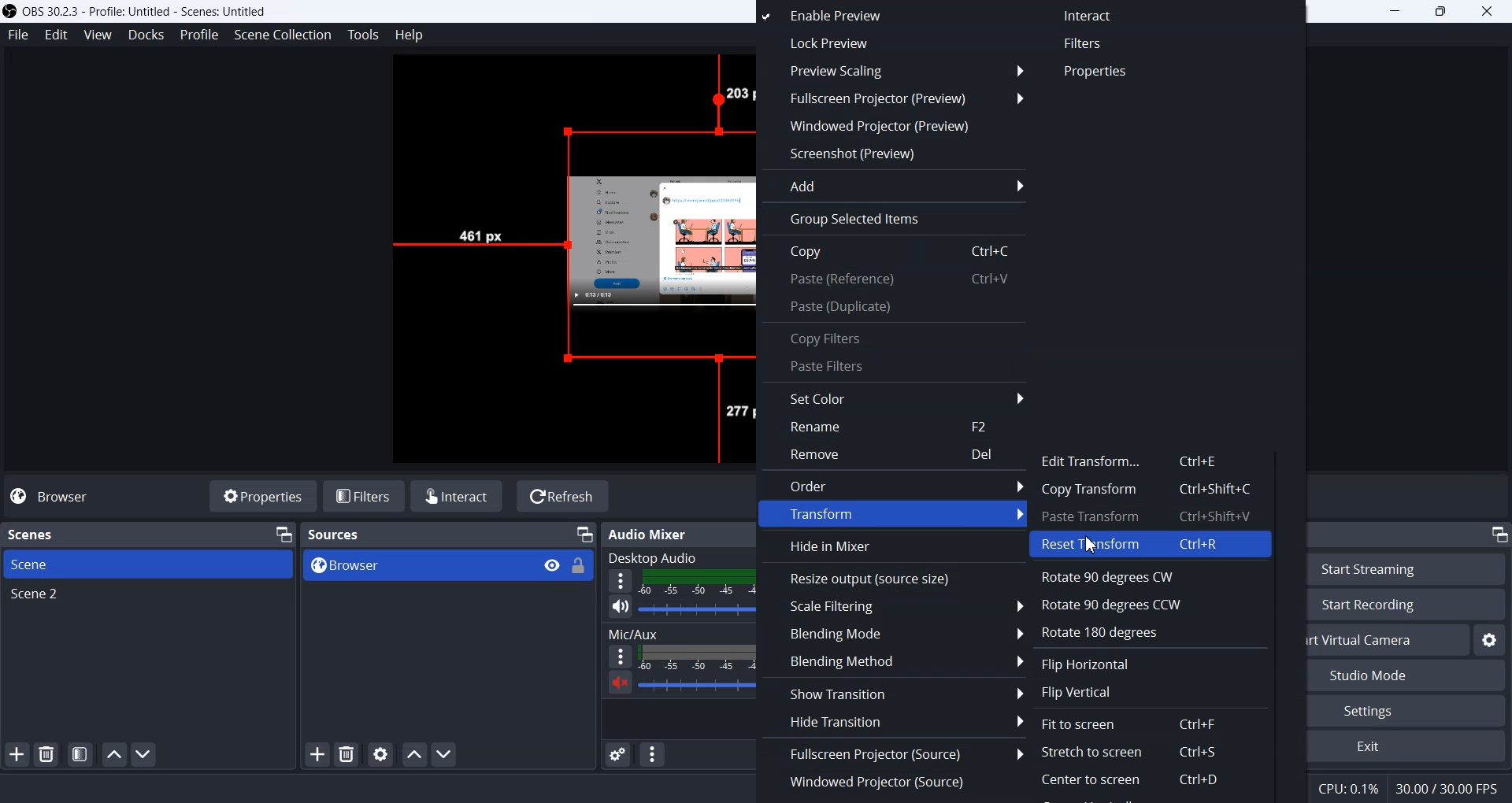  I want to click on Remove selected scene, so click(47, 756).